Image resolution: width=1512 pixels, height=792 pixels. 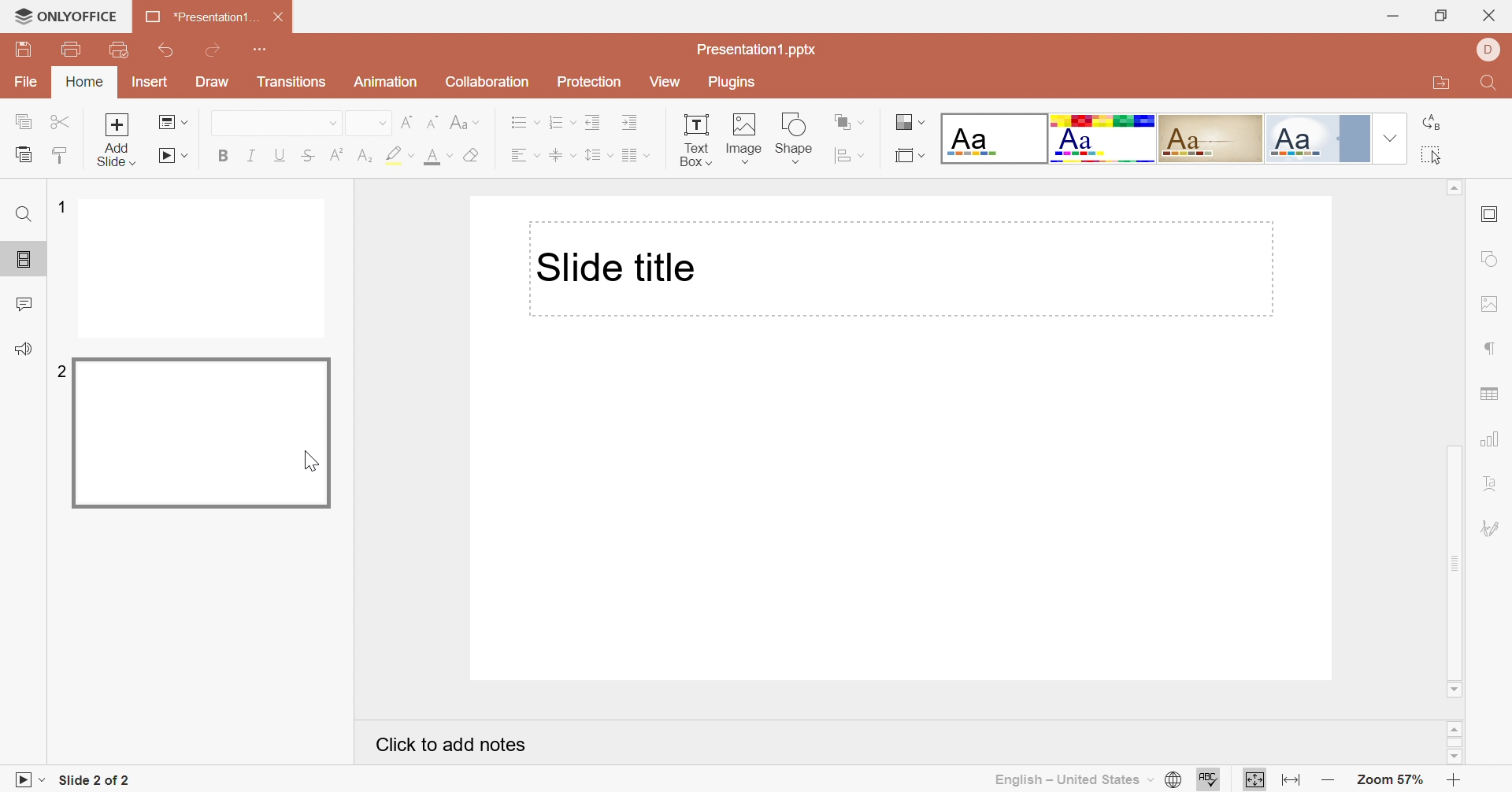 I want to click on Strikethrough, so click(x=306, y=156).